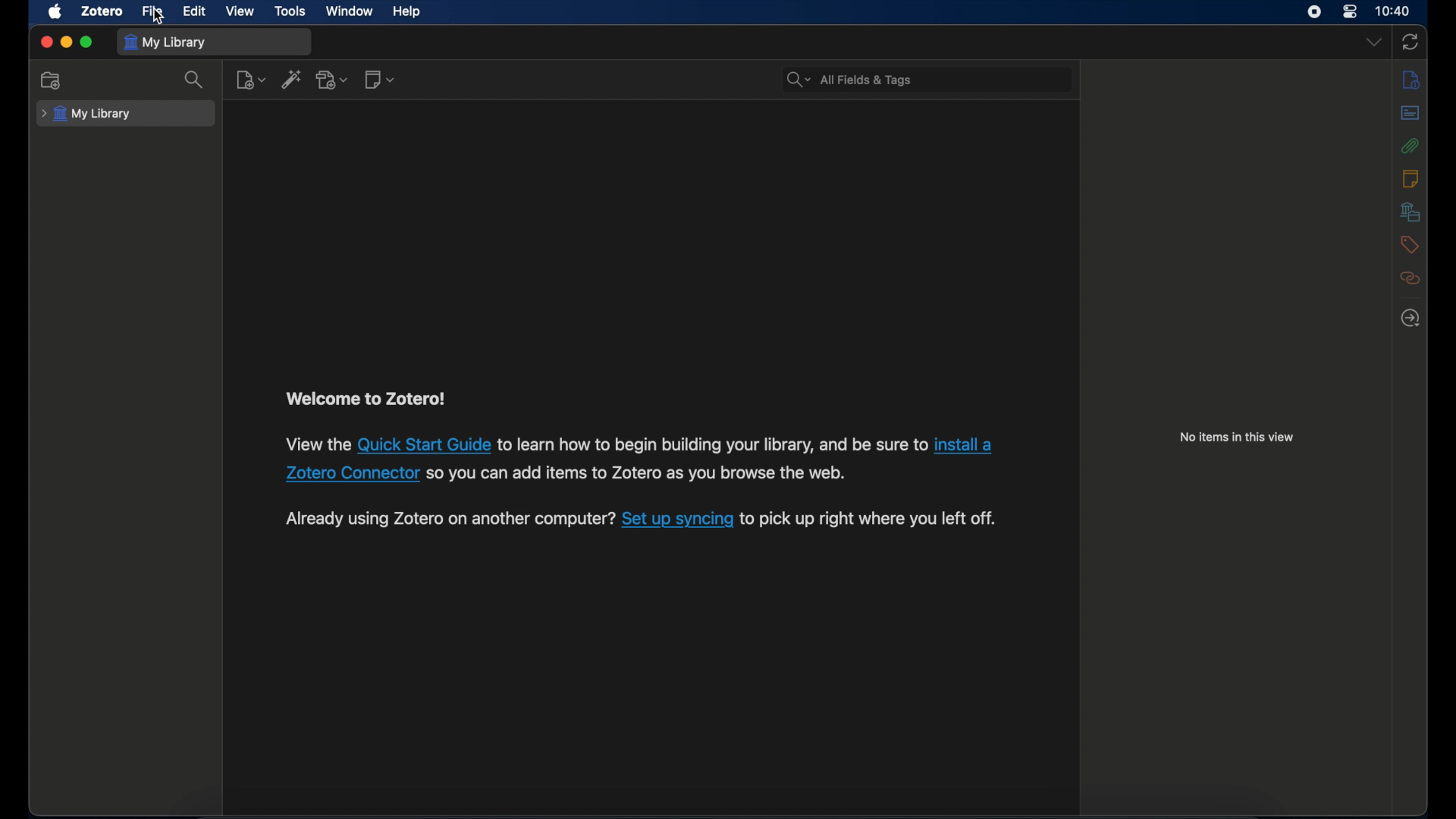 This screenshot has height=819, width=1456. What do you see at coordinates (1394, 10) in the screenshot?
I see `time` at bounding box center [1394, 10].